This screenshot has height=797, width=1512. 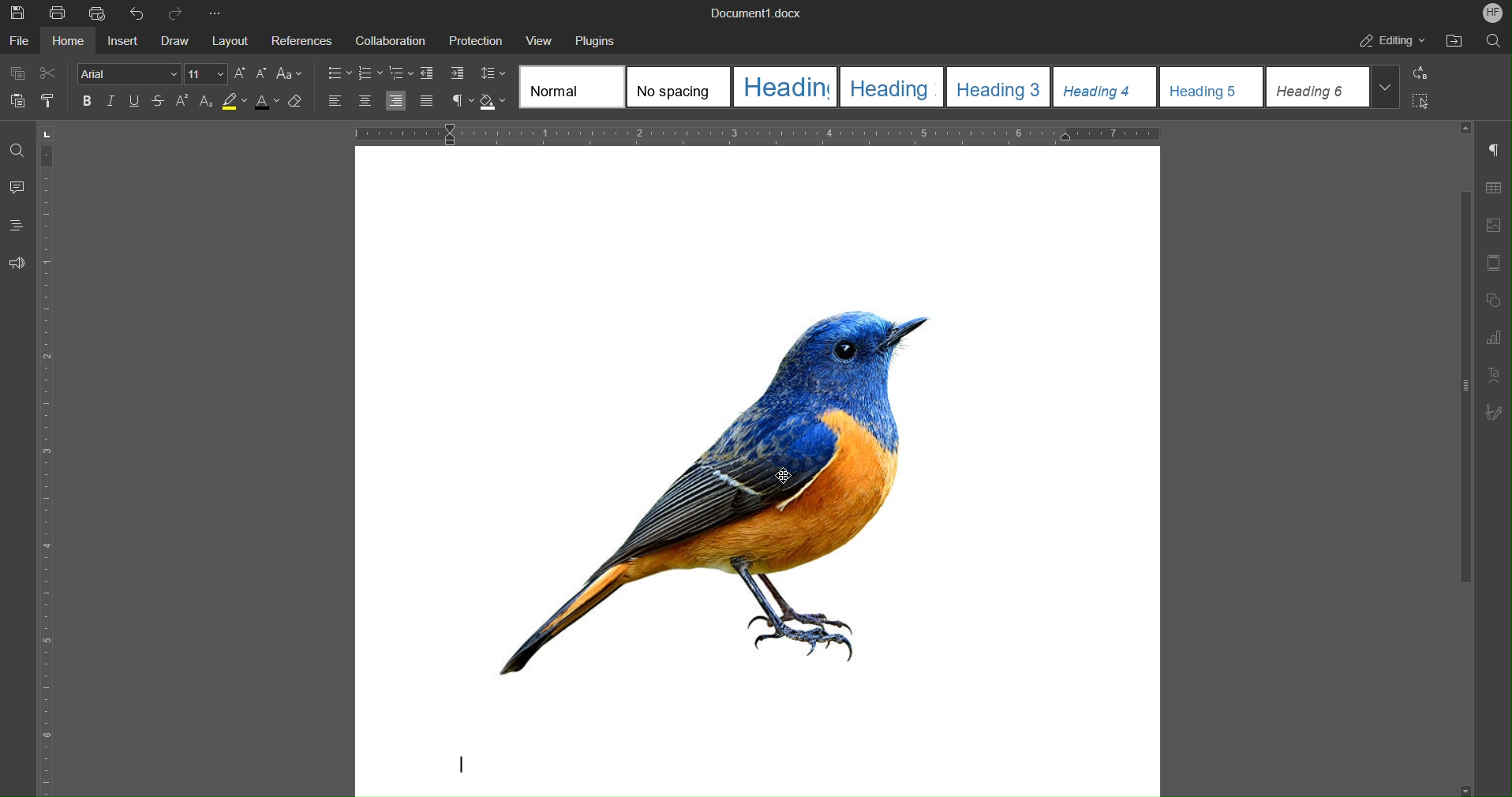 What do you see at coordinates (88, 101) in the screenshot?
I see `Bold` at bounding box center [88, 101].